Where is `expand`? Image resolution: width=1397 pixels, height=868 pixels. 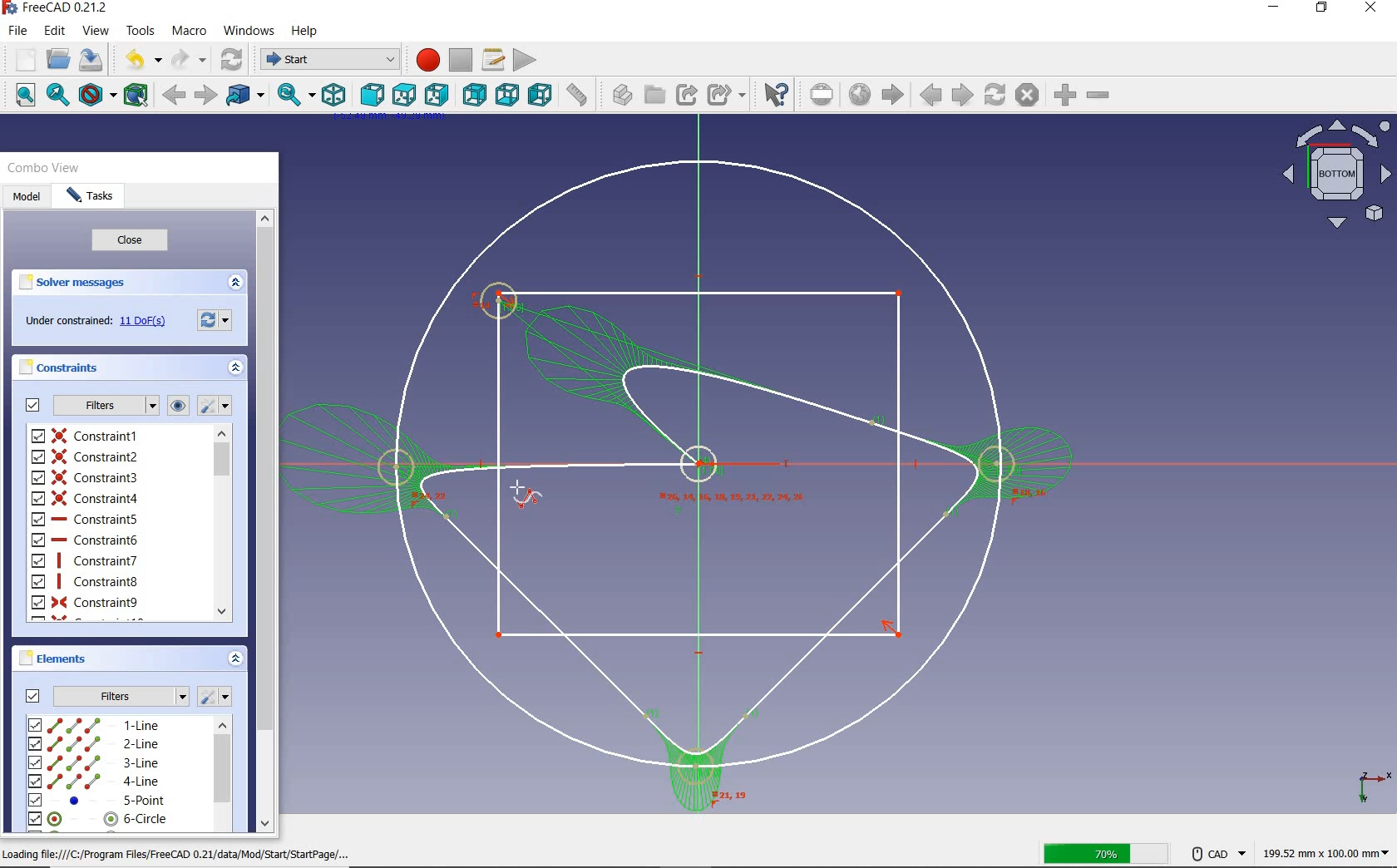
expand is located at coordinates (237, 281).